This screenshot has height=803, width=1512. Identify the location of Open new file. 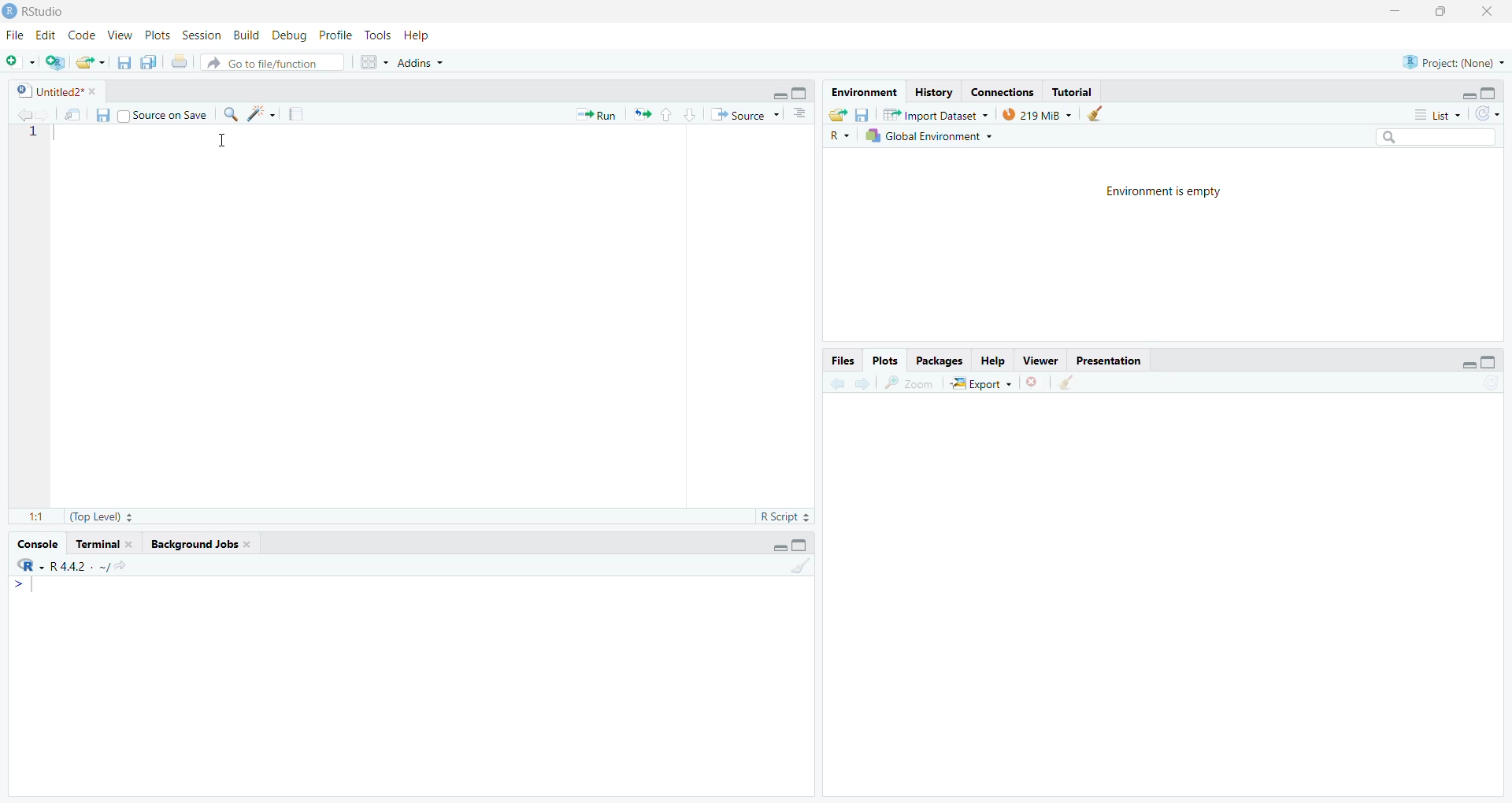
(20, 62).